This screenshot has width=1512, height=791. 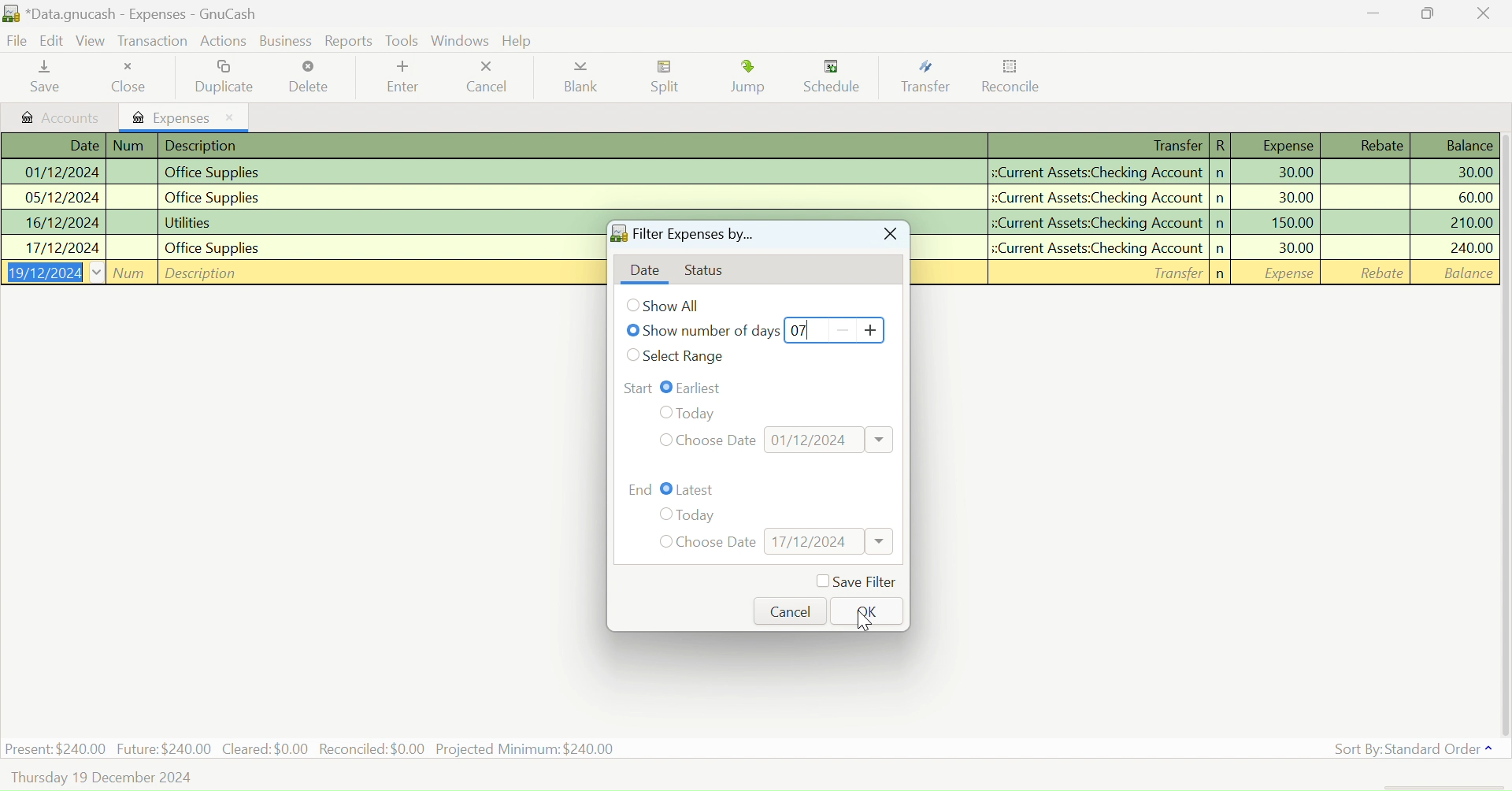 I want to click on Checkbox, so click(x=633, y=329).